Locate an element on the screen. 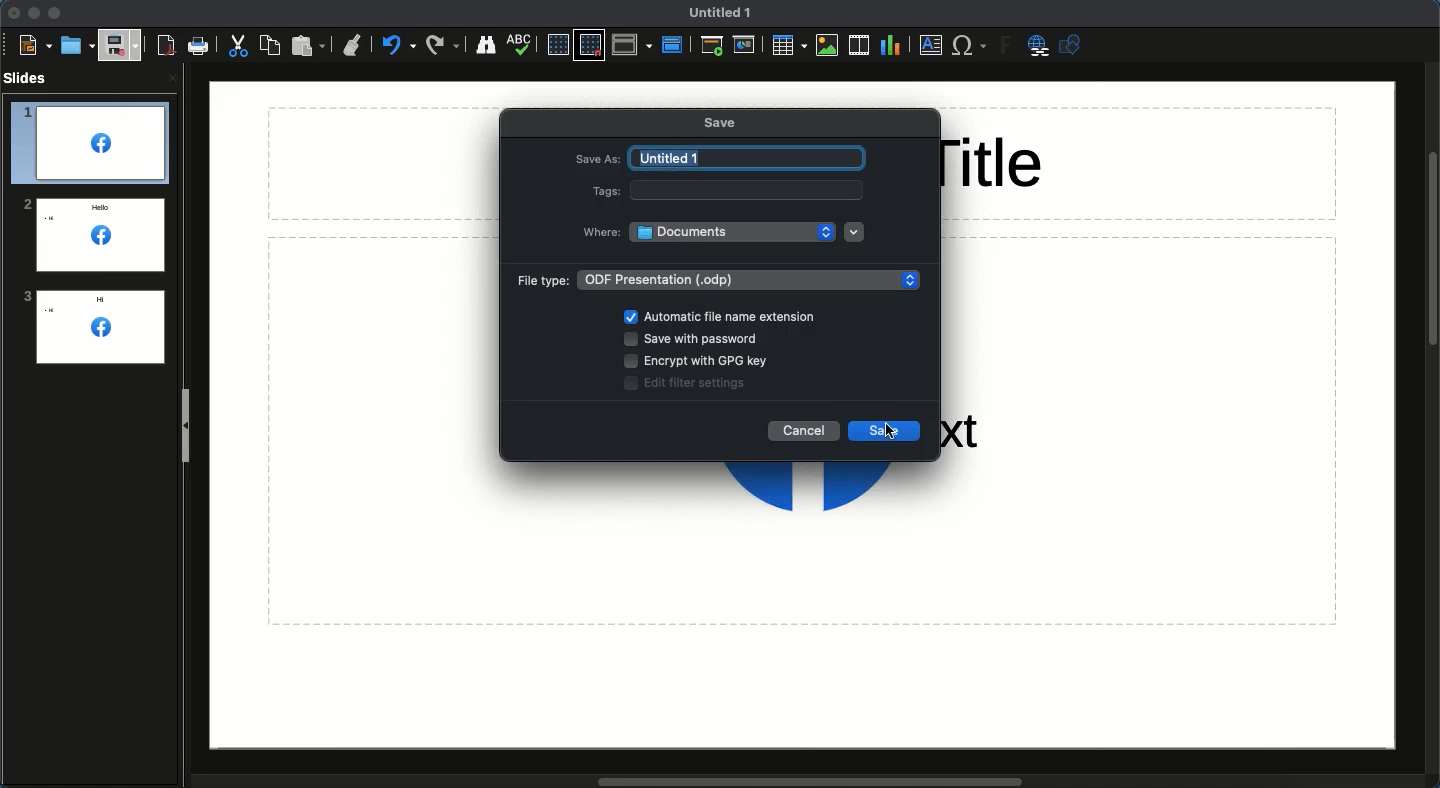 The height and width of the screenshot is (788, 1440). Tags is located at coordinates (722, 190).